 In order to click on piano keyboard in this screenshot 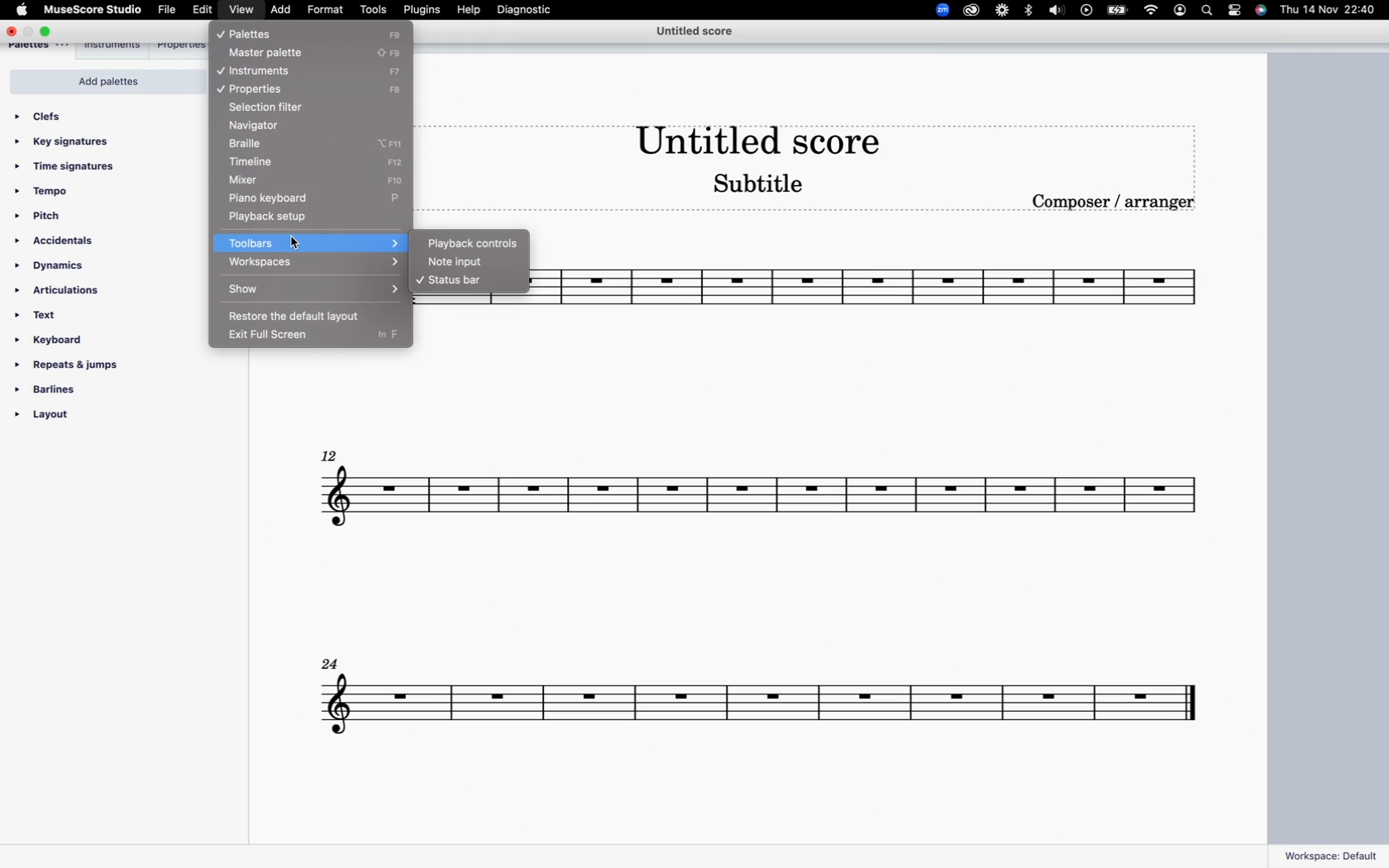, I will do `click(300, 198)`.